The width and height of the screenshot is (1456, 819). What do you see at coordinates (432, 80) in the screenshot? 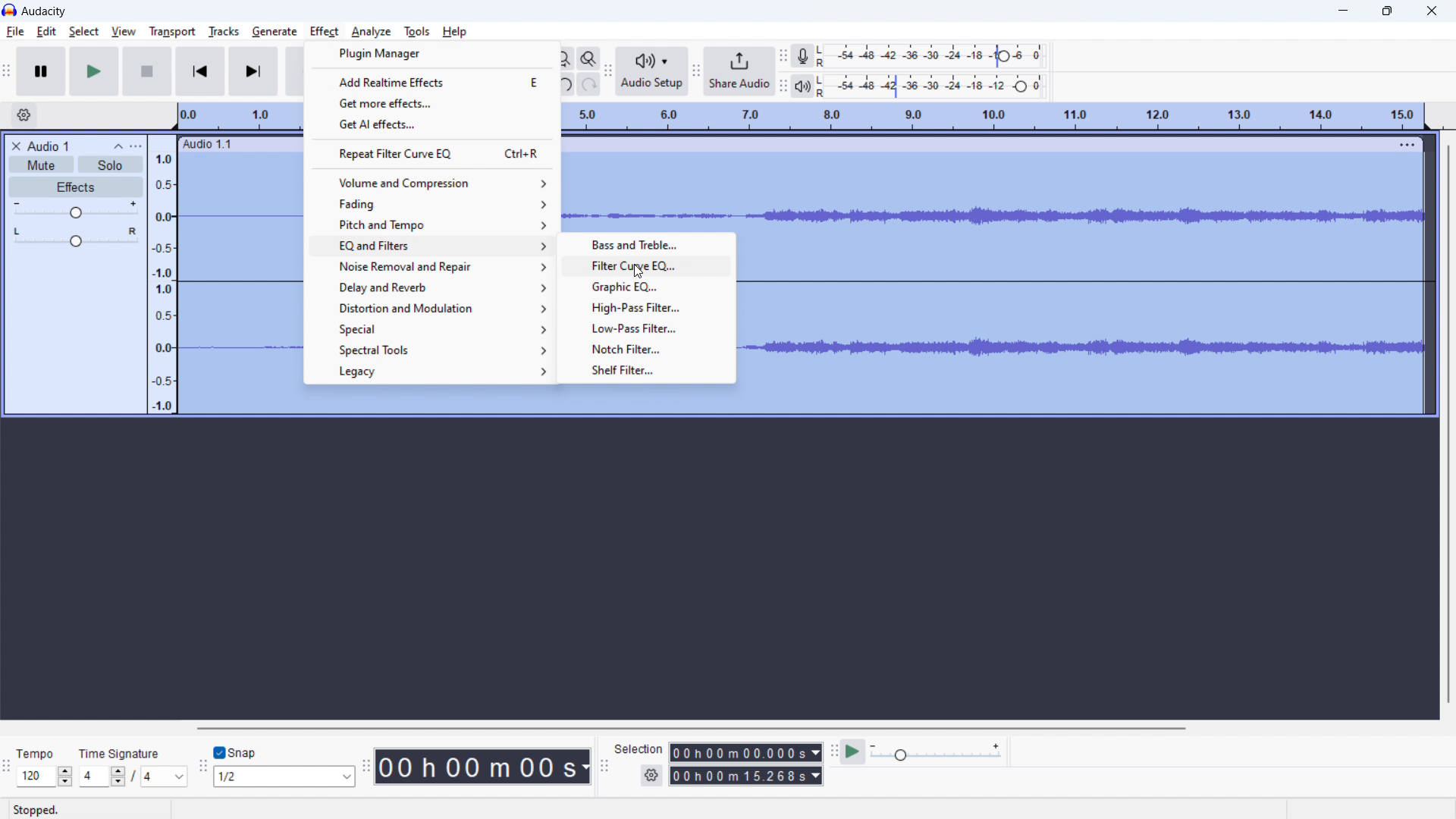
I see `add realtime effects` at bounding box center [432, 80].